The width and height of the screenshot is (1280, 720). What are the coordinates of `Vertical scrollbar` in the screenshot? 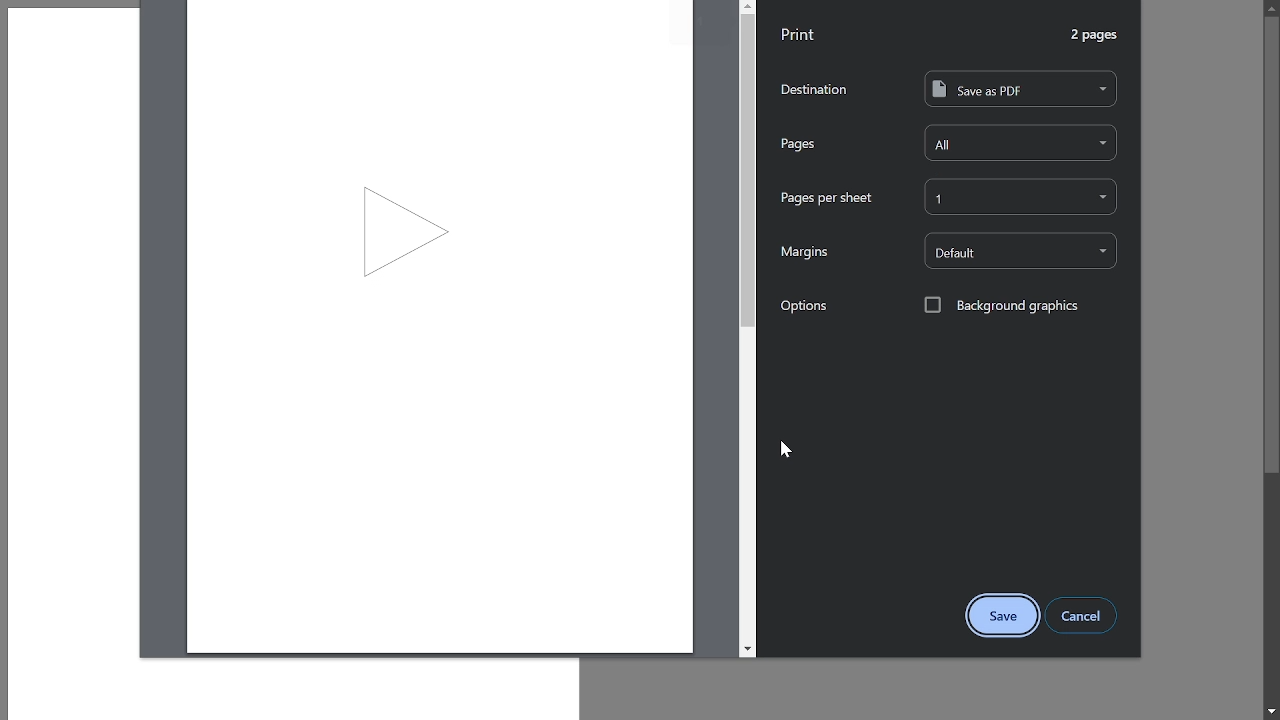 It's located at (747, 172).